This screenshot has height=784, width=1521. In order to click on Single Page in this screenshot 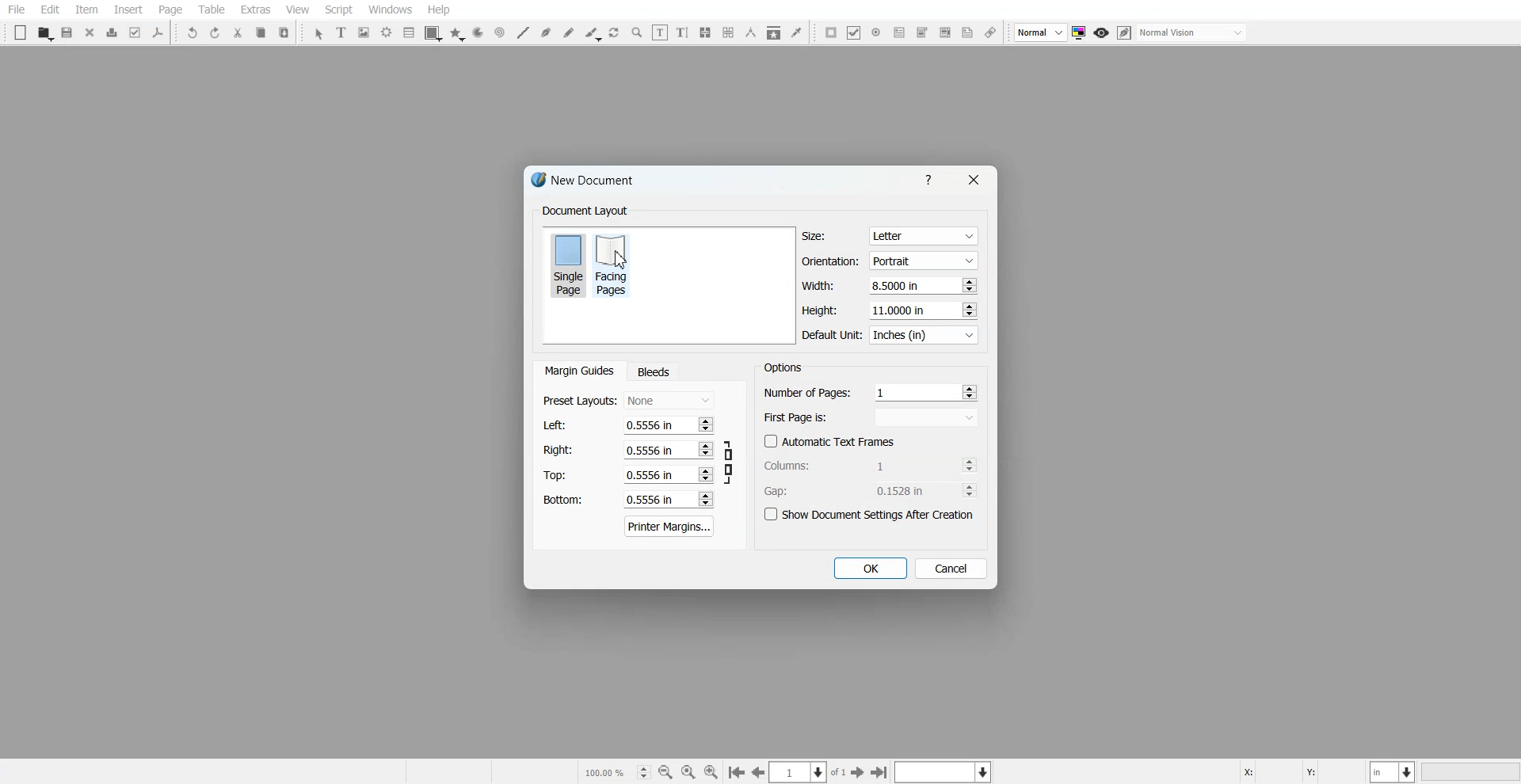, I will do `click(567, 264)`.